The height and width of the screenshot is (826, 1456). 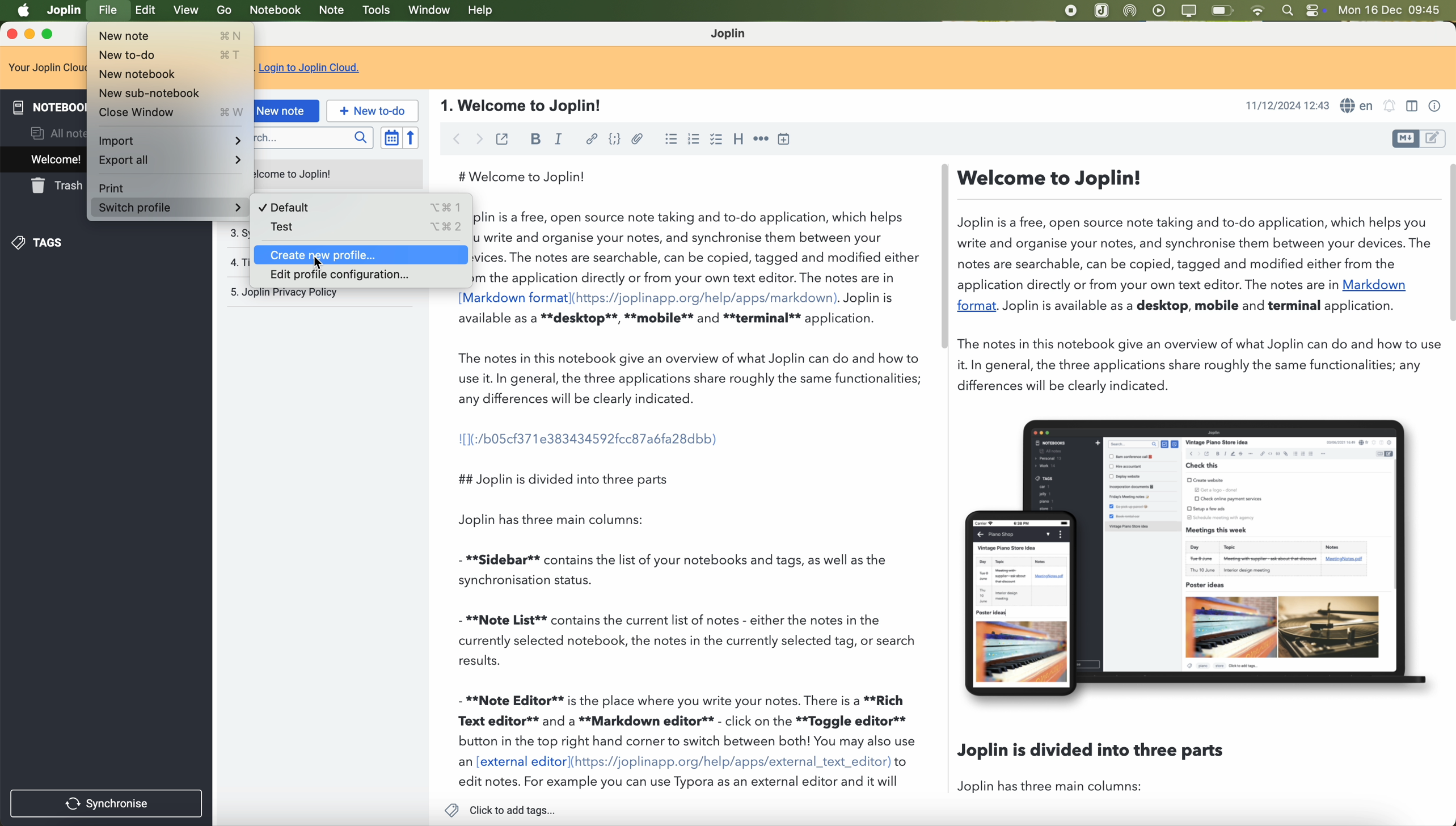 I want to click on Default, so click(x=362, y=204).